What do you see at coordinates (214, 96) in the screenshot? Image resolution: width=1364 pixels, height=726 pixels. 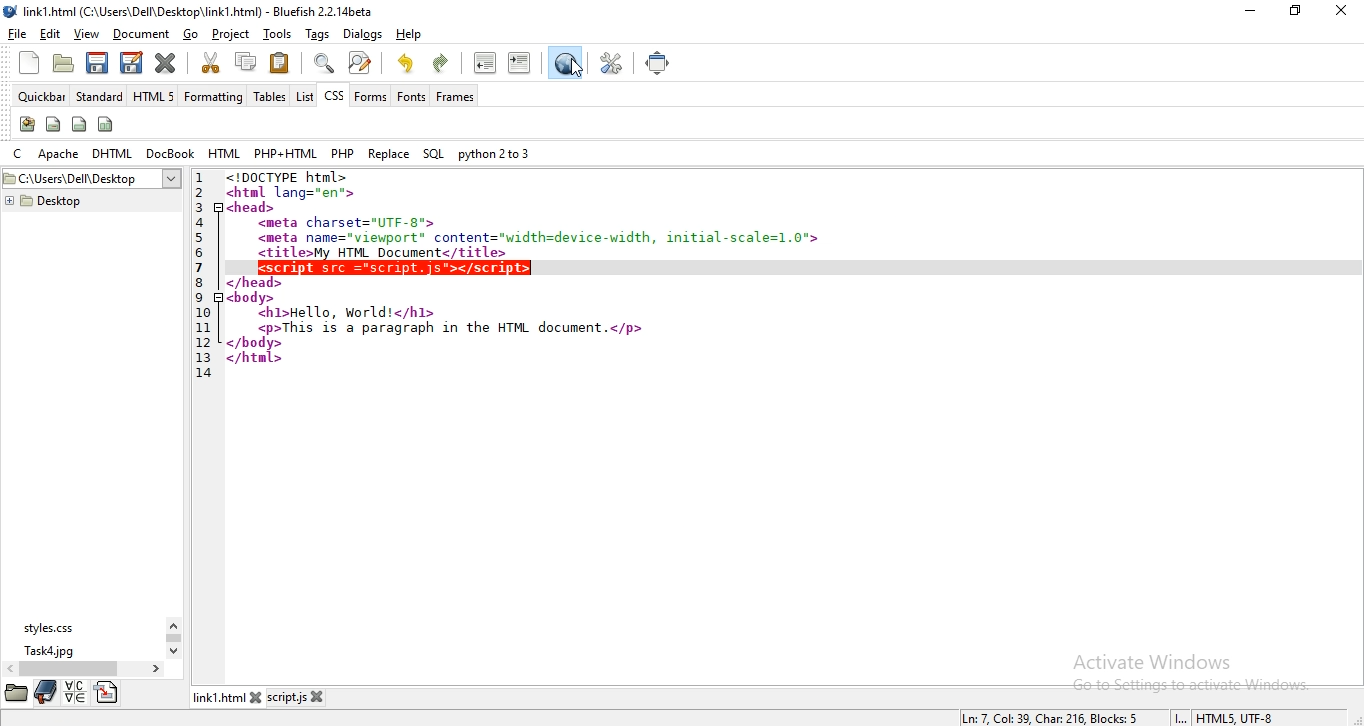 I see `formatting` at bounding box center [214, 96].